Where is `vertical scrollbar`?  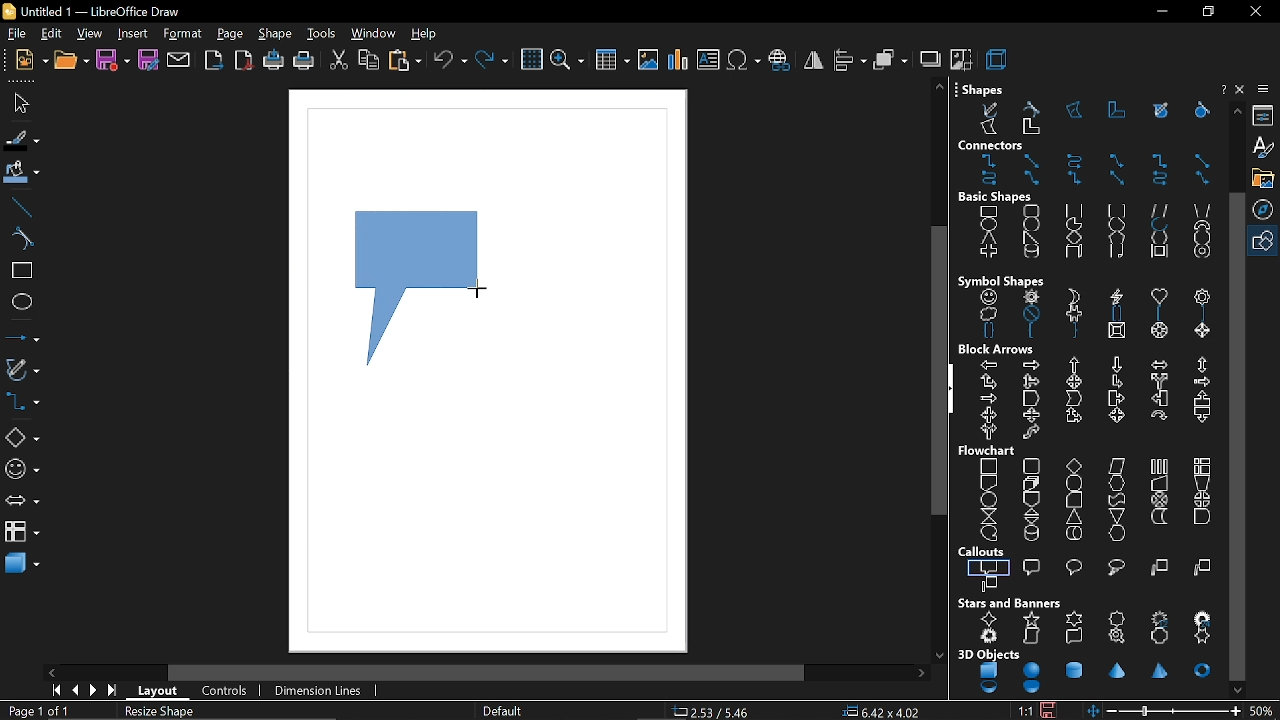
vertical scrollbar is located at coordinates (1236, 437).